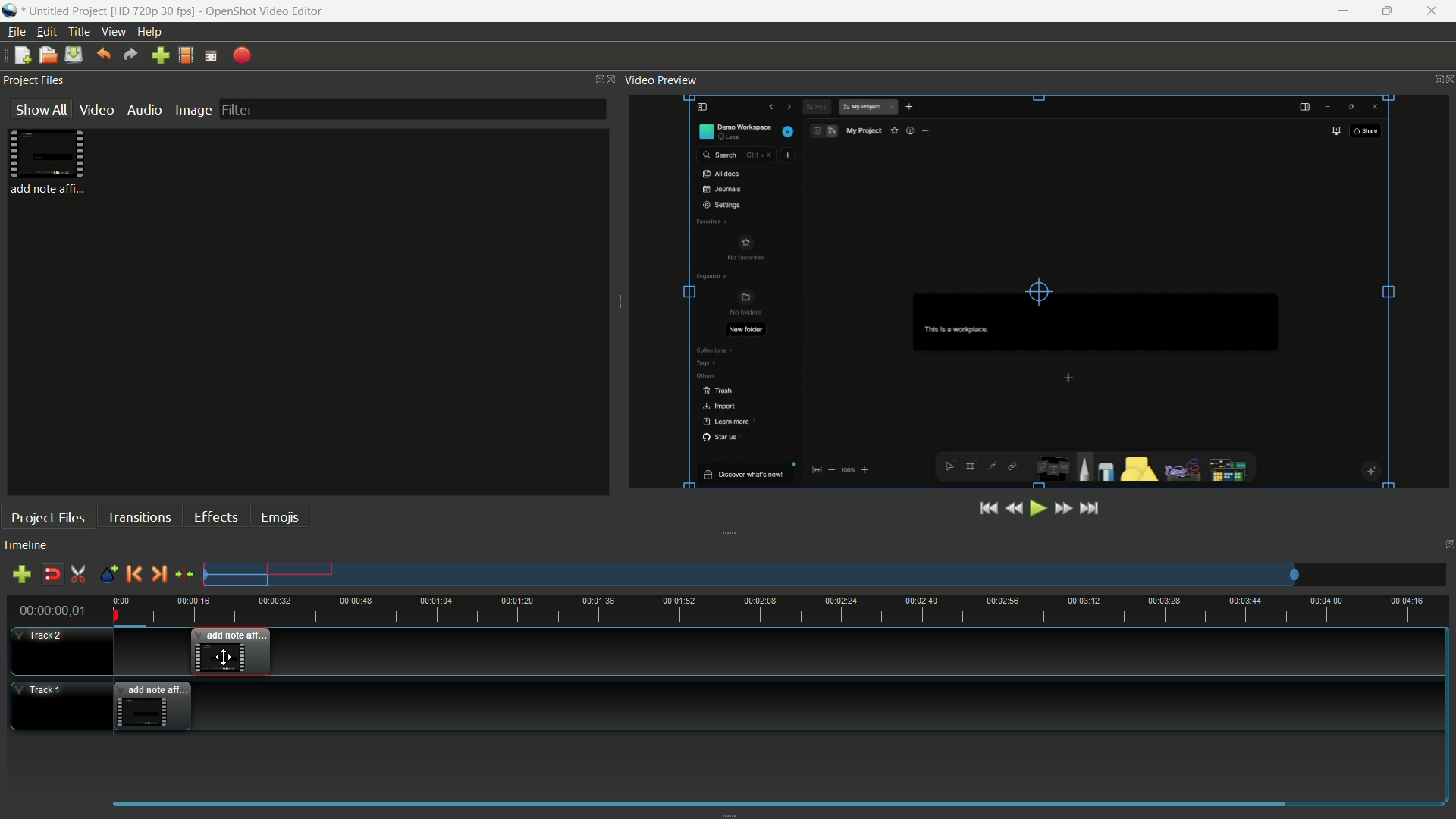 This screenshot has height=819, width=1456. What do you see at coordinates (215, 517) in the screenshot?
I see `effects` at bounding box center [215, 517].